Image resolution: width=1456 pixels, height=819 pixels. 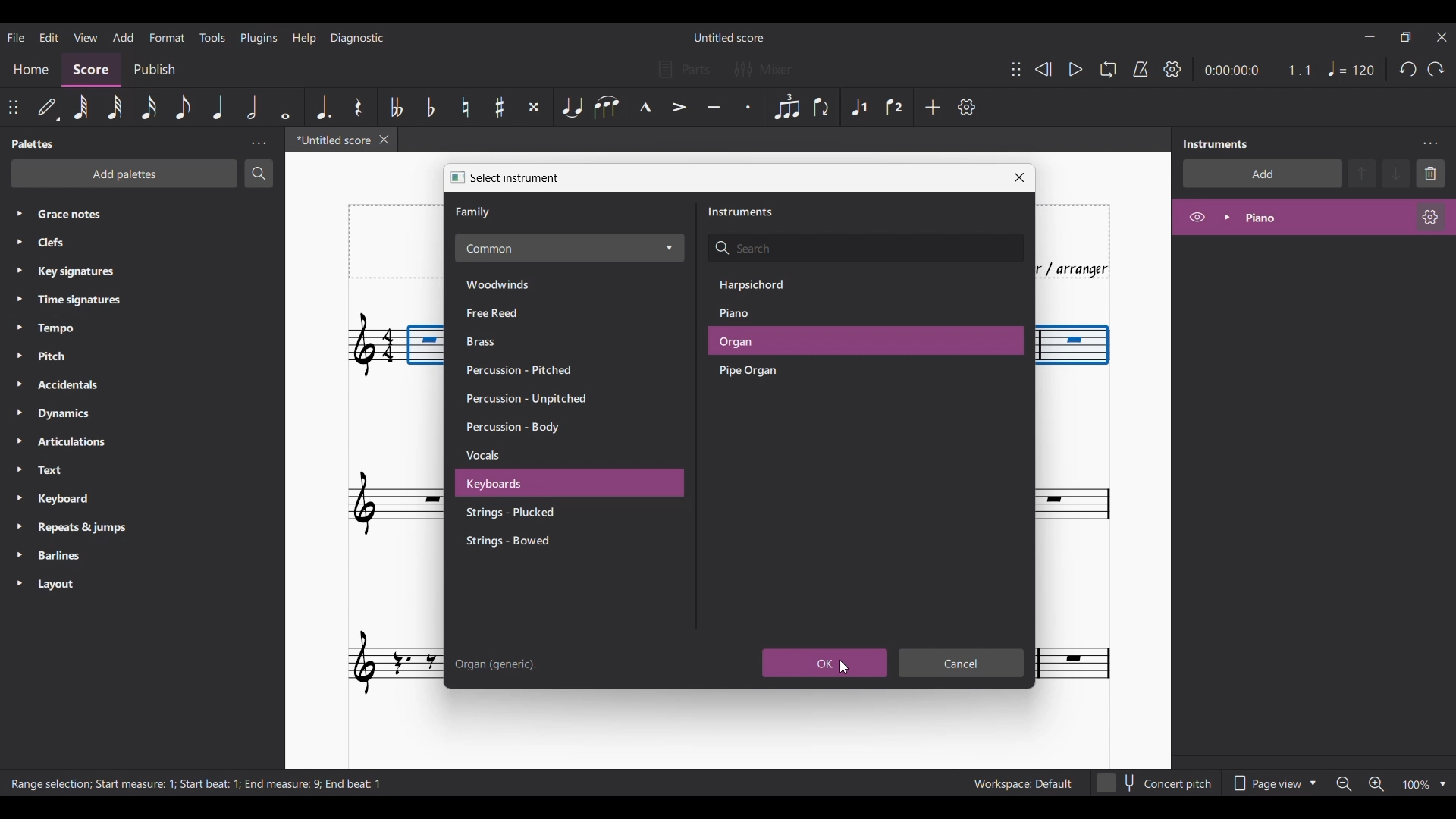 What do you see at coordinates (1442, 37) in the screenshot?
I see `Close interface` at bounding box center [1442, 37].